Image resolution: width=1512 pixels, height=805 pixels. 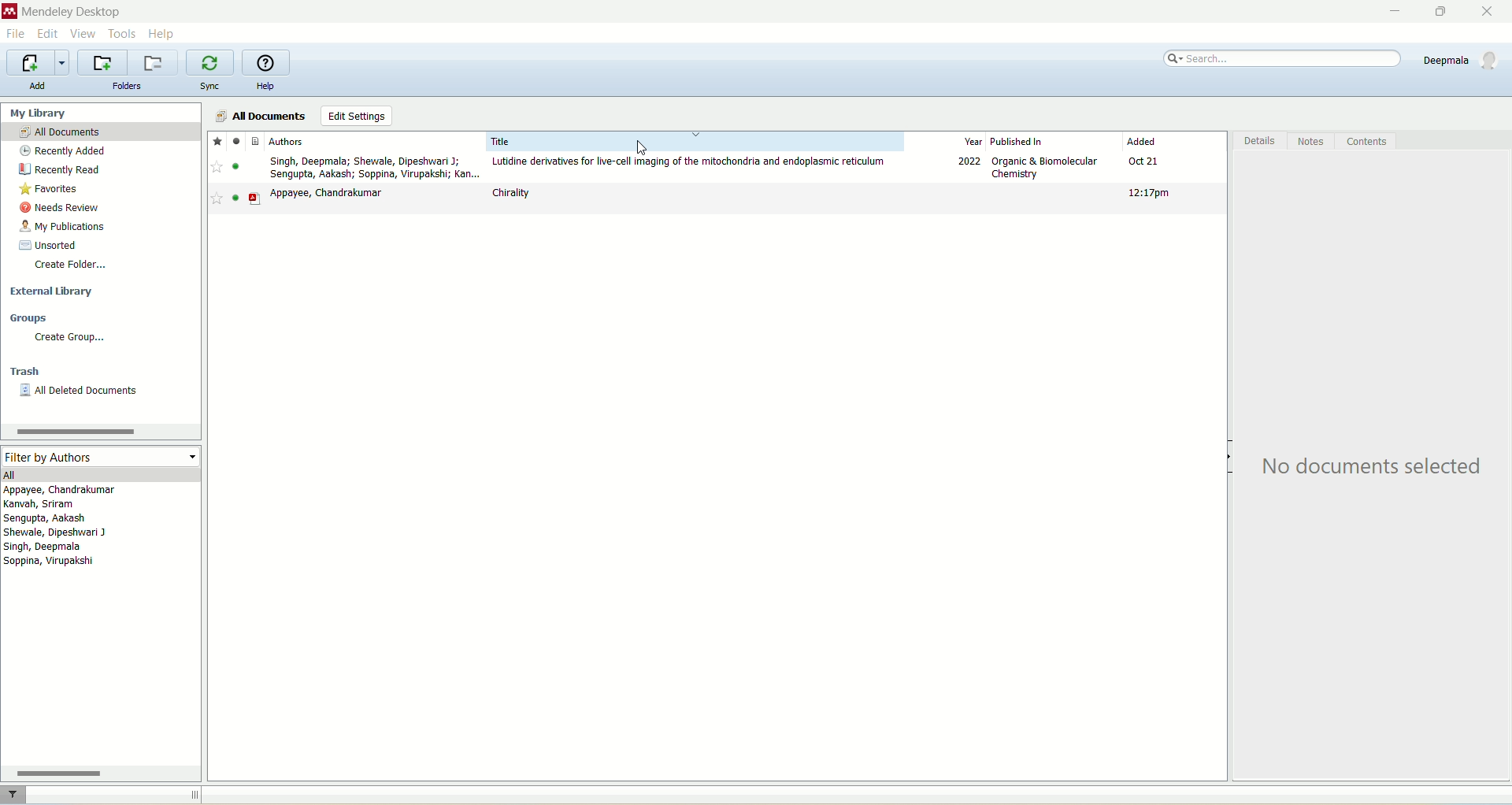 I want to click on groups, so click(x=30, y=317).